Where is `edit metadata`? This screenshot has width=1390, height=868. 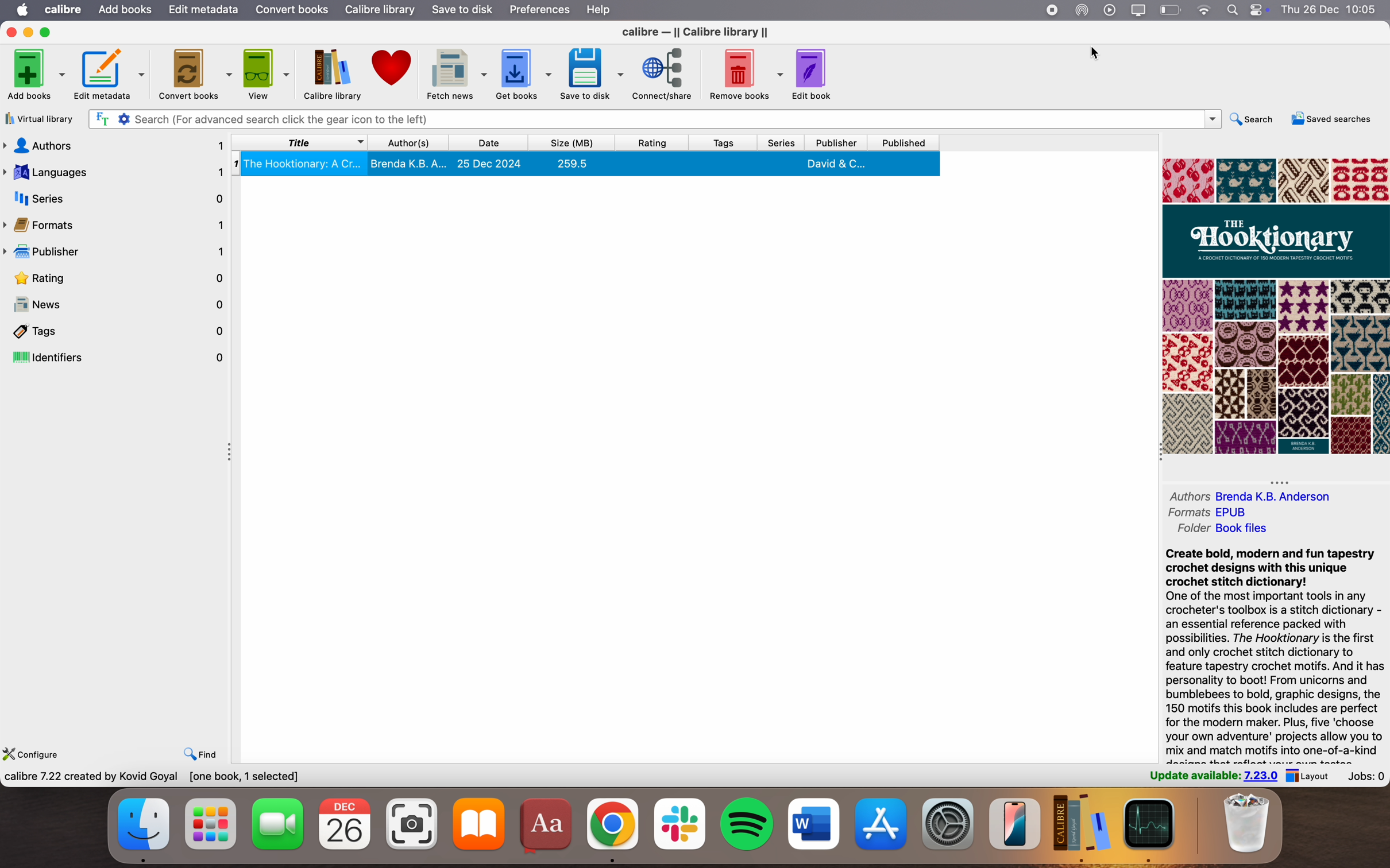 edit metadata is located at coordinates (203, 9).